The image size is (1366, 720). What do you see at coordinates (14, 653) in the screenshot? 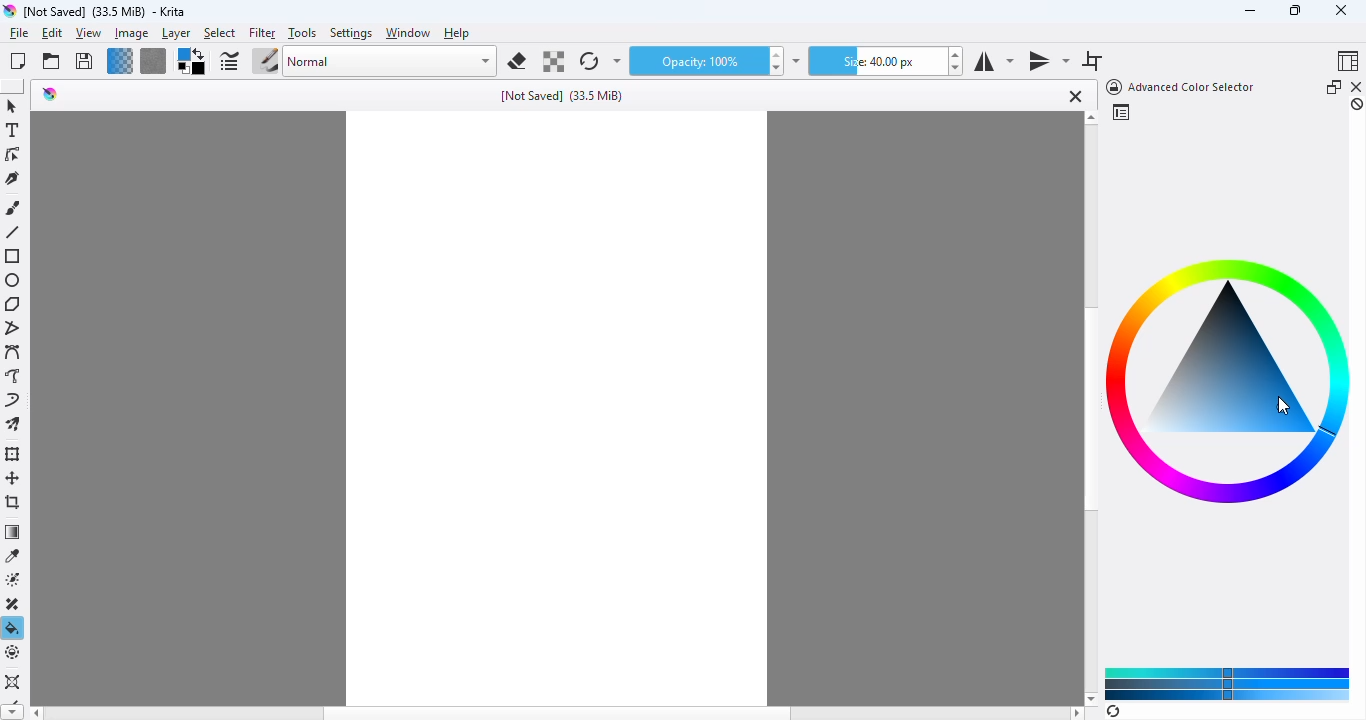
I see `enclose and fill tool` at bounding box center [14, 653].